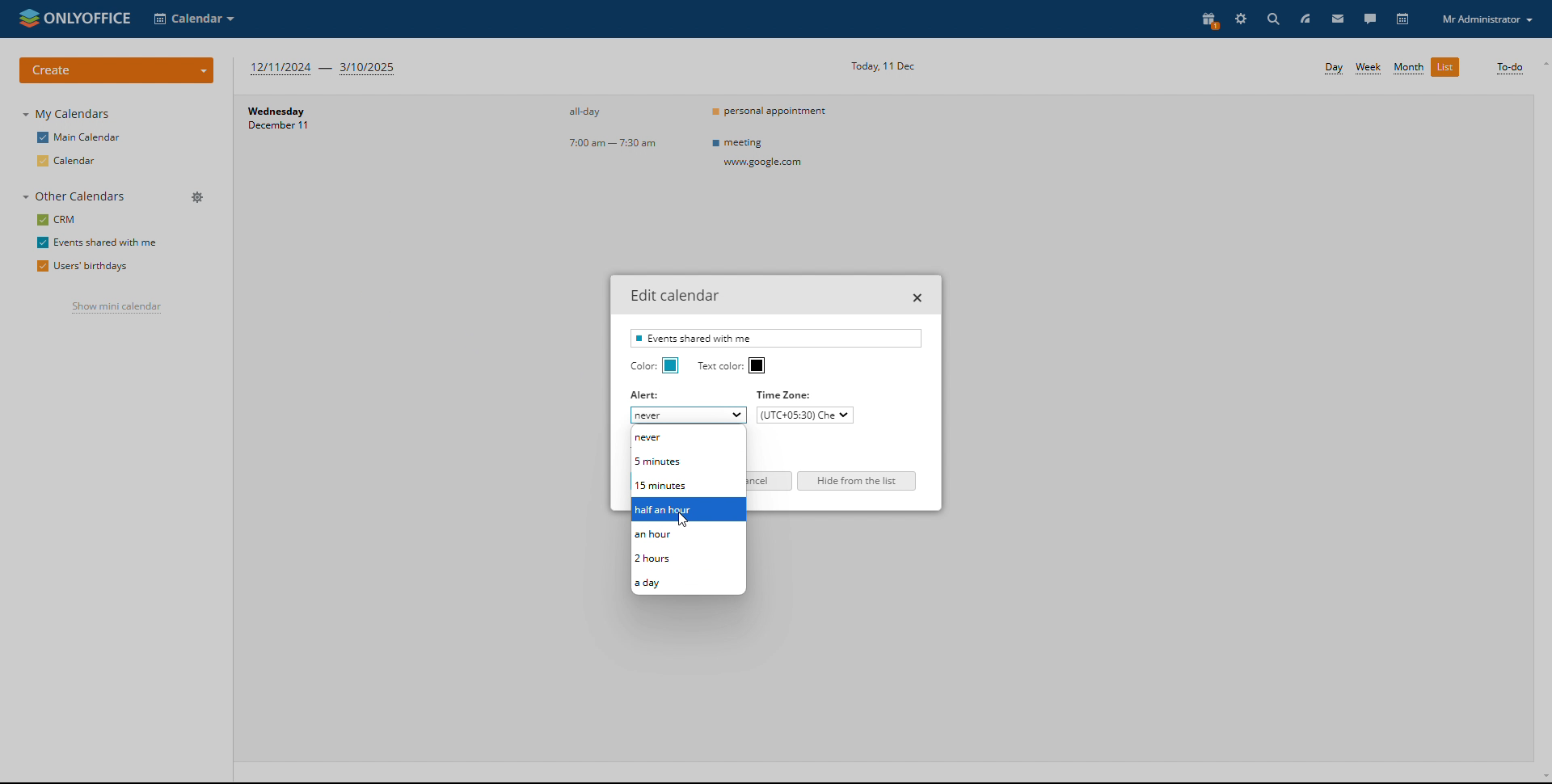  What do you see at coordinates (1407, 68) in the screenshot?
I see `month view` at bounding box center [1407, 68].